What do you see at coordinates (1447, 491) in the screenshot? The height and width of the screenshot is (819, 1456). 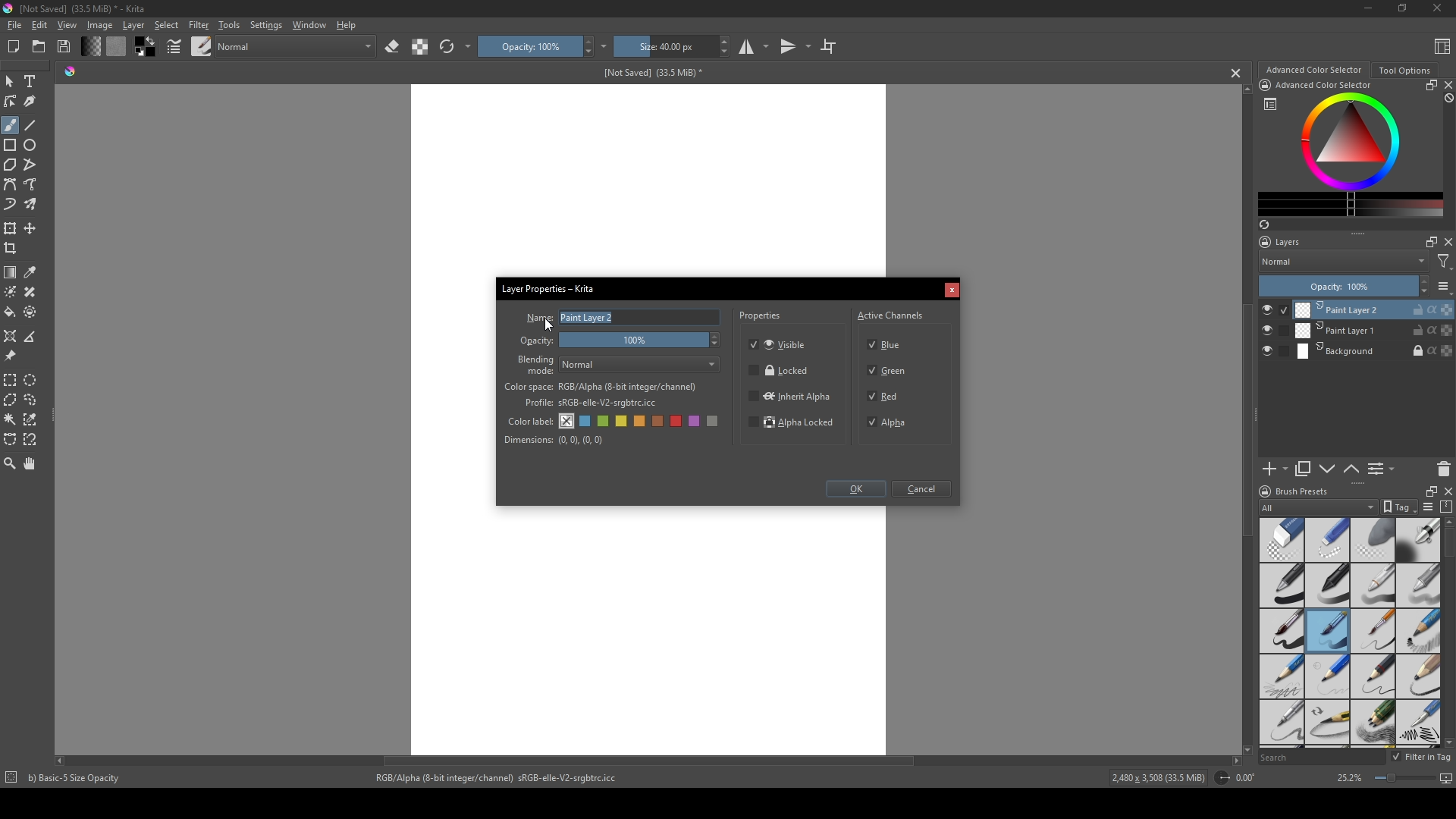 I see `close` at bounding box center [1447, 491].